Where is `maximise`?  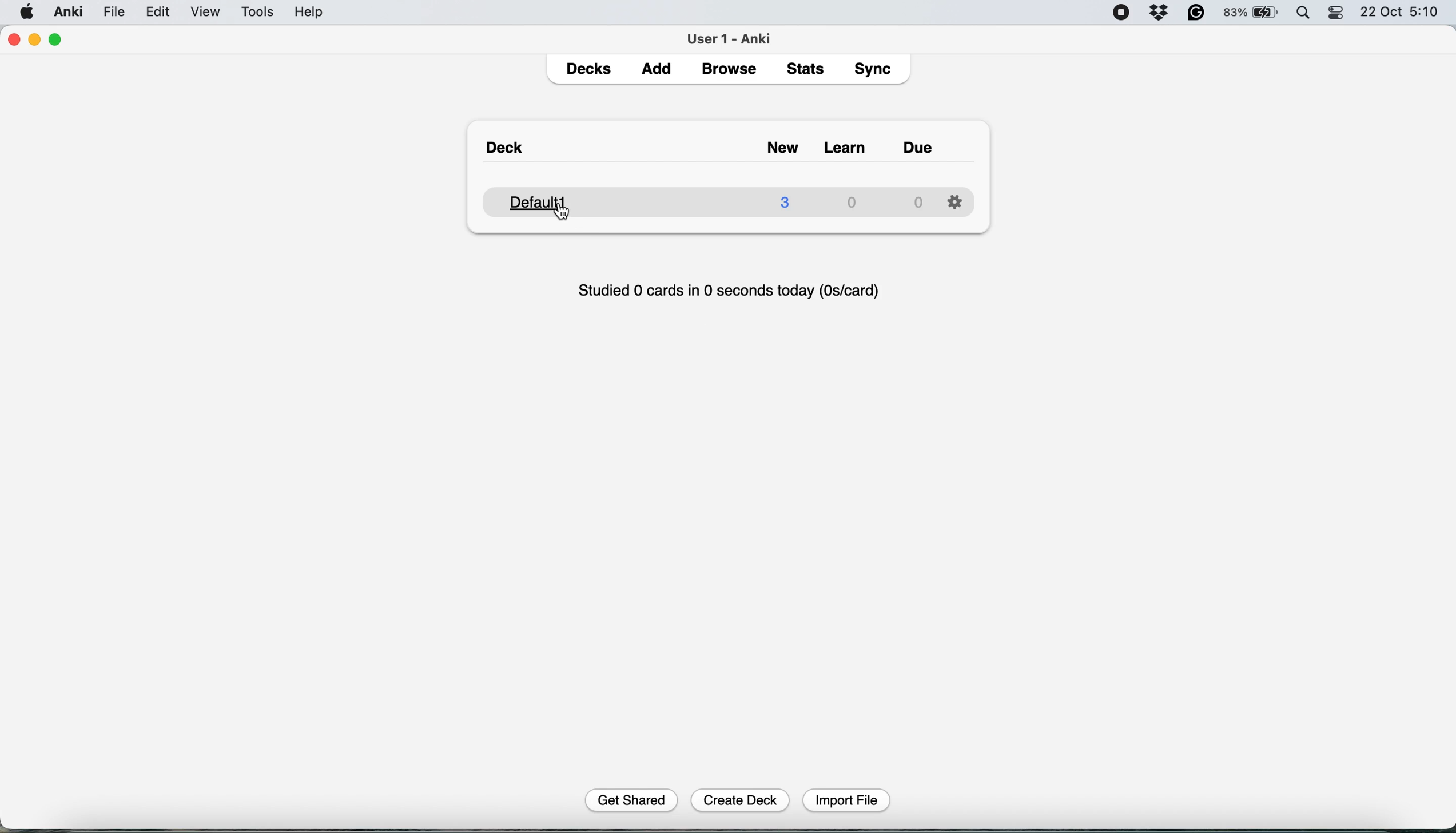
maximise is located at coordinates (56, 40).